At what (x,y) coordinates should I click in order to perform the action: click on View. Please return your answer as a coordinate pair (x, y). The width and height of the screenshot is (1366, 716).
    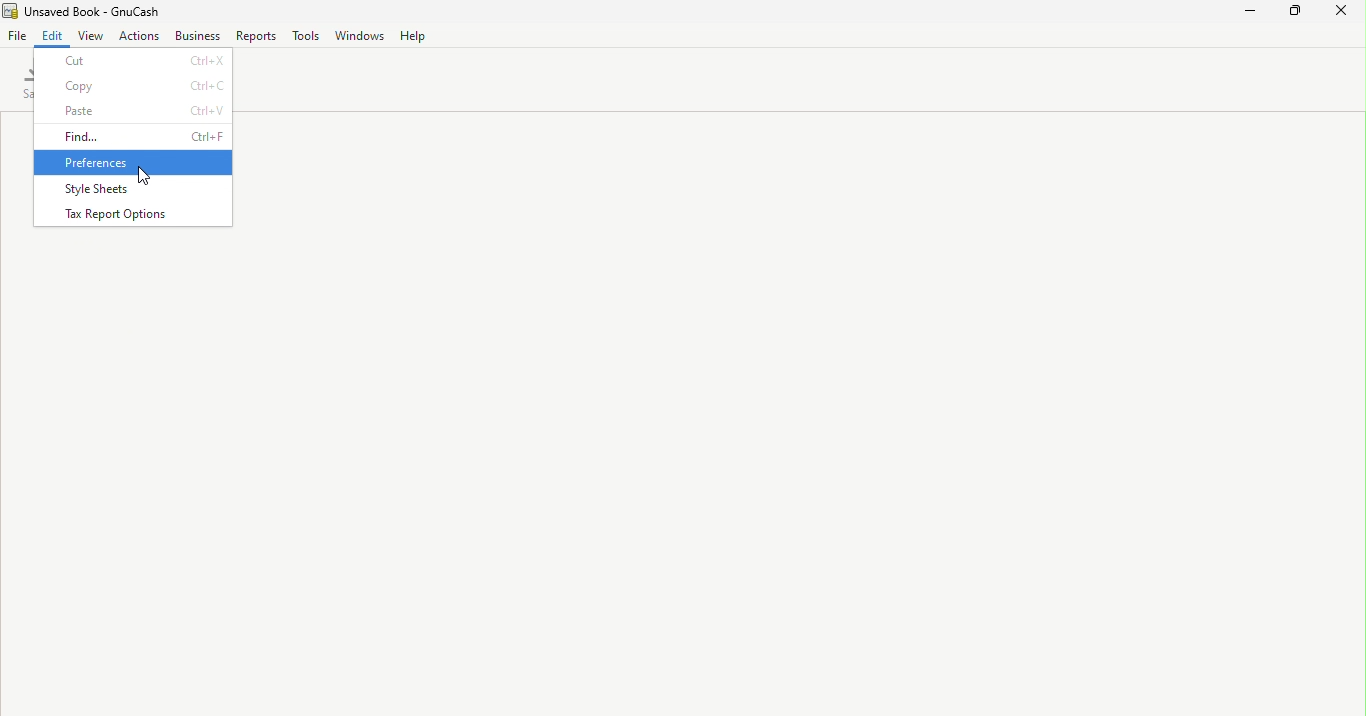
    Looking at the image, I should click on (89, 34).